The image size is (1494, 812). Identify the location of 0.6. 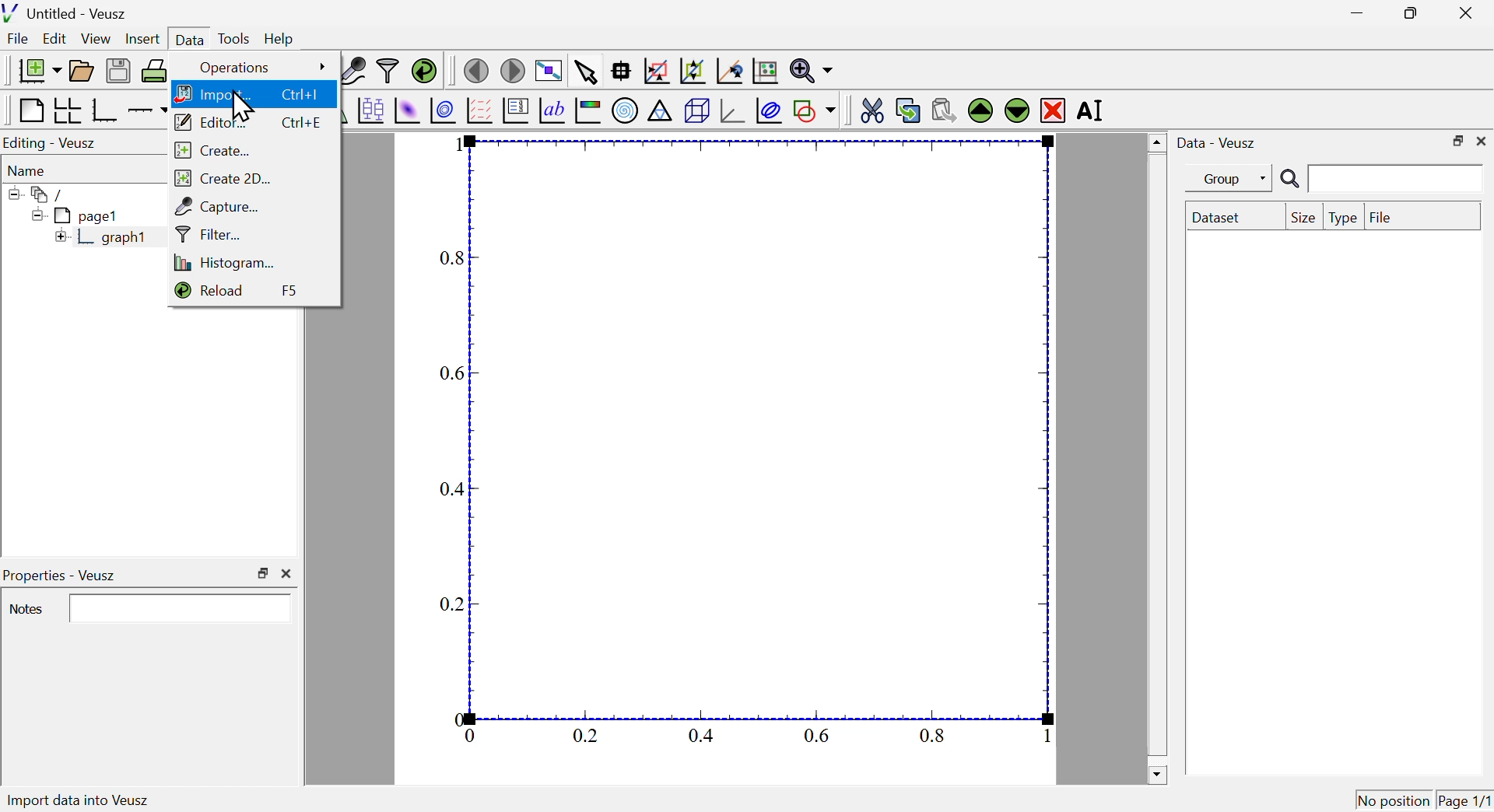
(451, 373).